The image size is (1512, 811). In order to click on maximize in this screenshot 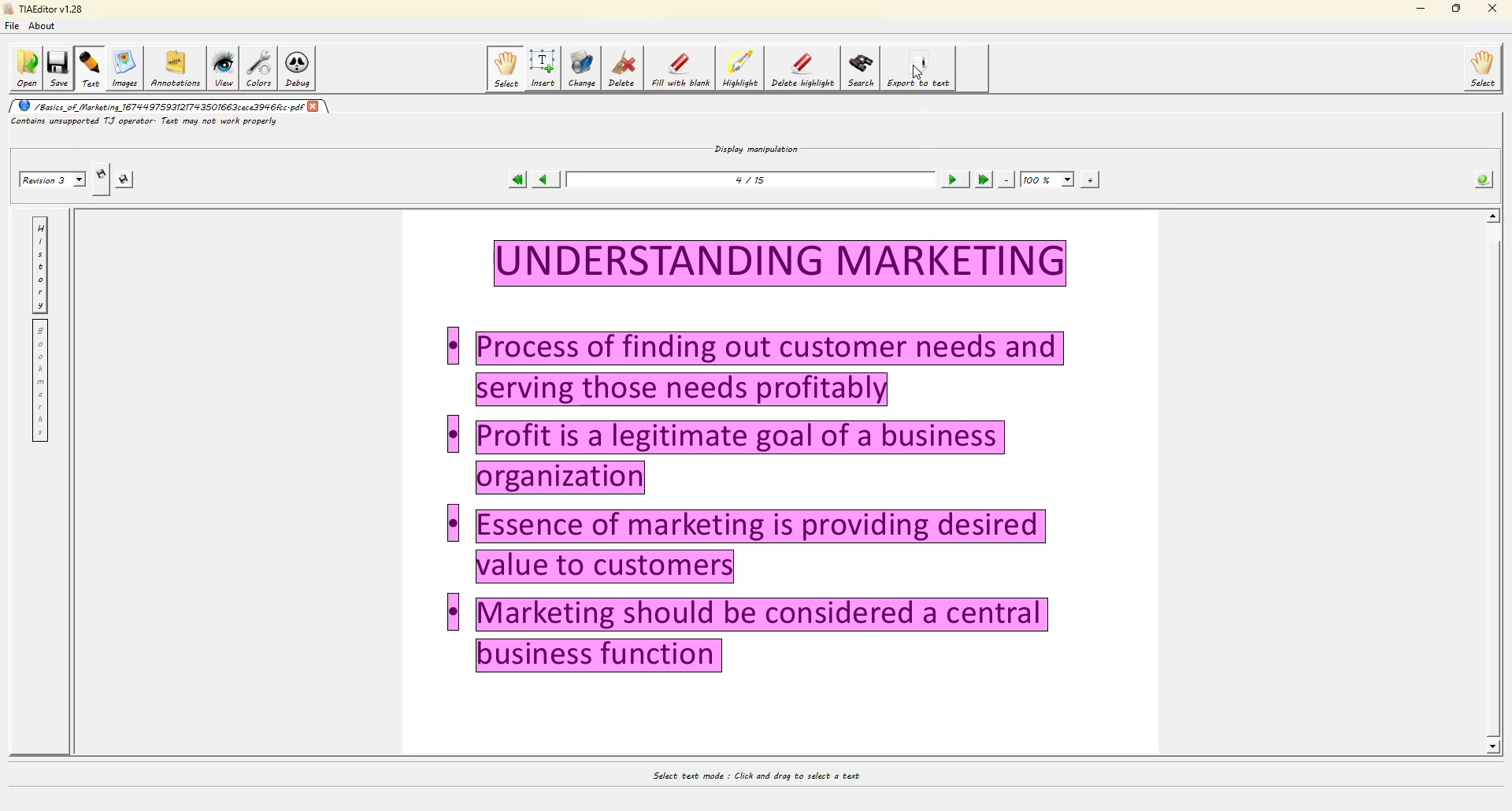, I will do `click(1454, 9)`.